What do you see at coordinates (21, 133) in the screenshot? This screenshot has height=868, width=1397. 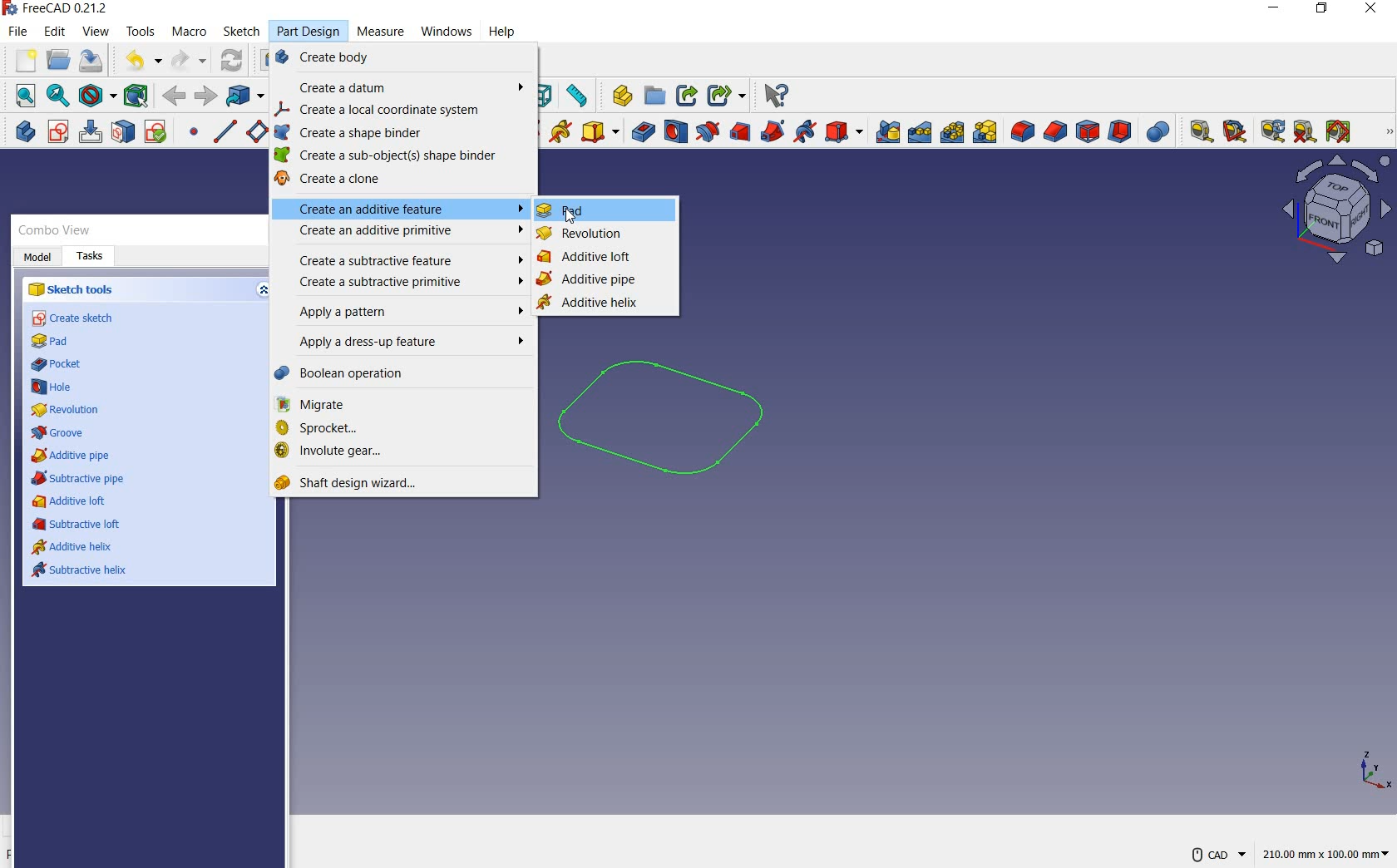 I see `create body` at bounding box center [21, 133].